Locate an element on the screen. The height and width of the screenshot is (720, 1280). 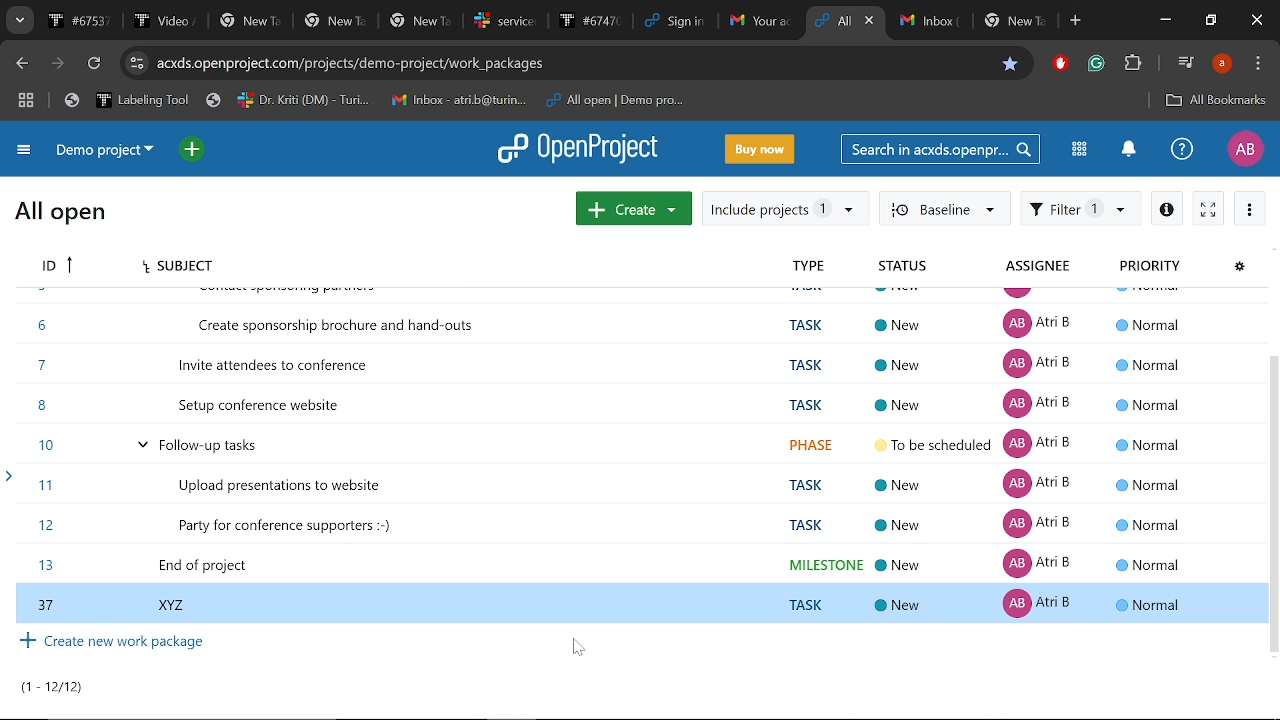
close curretn tab is located at coordinates (872, 21).